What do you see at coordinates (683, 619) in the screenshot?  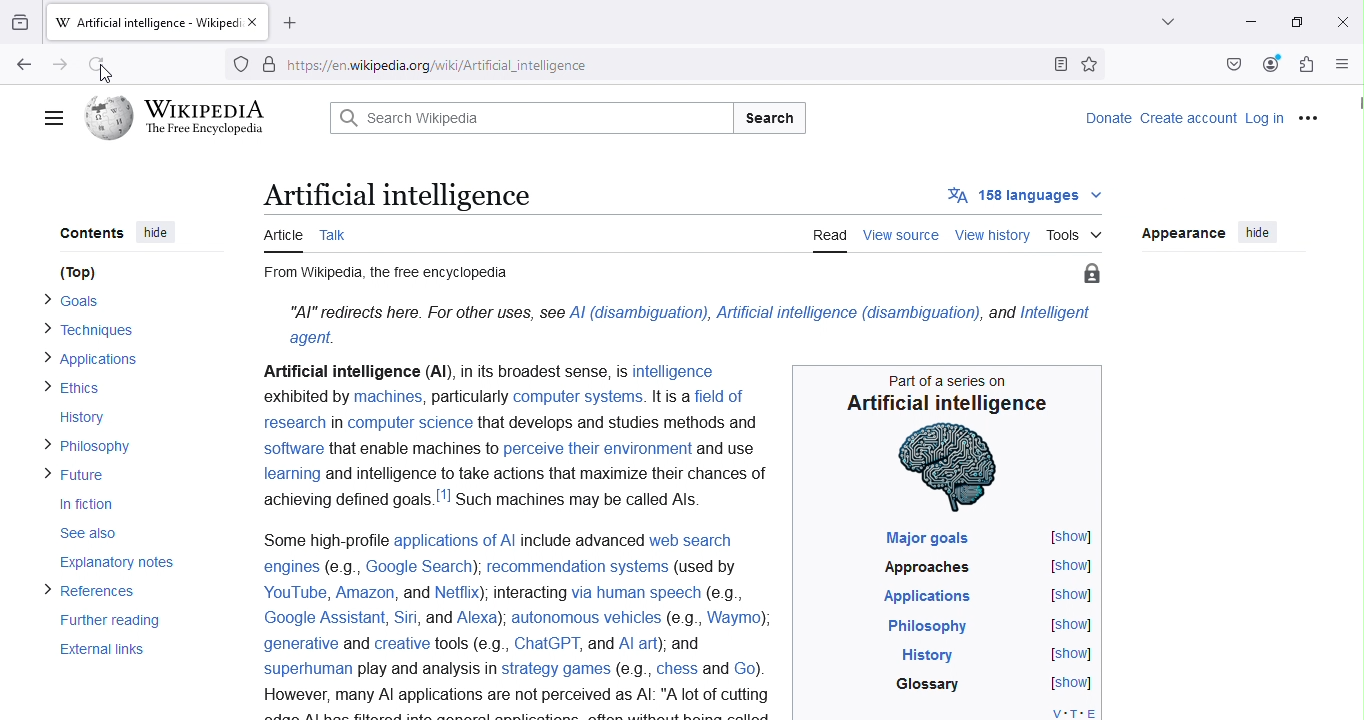 I see `e.g.,` at bounding box center [683, 619].